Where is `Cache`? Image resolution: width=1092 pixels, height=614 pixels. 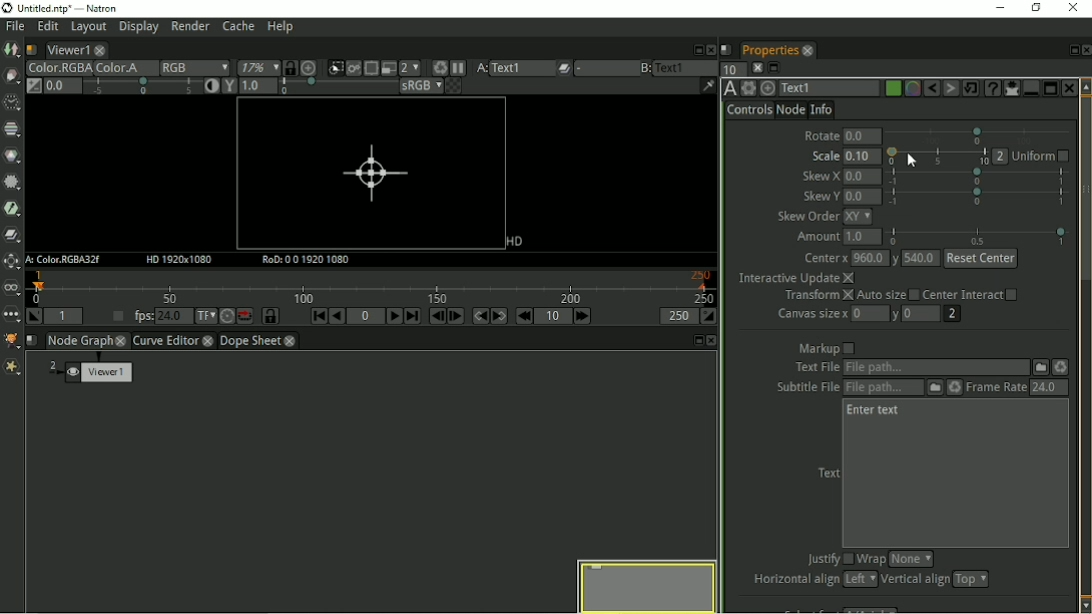
Cache is located at coordinates (238, 28).